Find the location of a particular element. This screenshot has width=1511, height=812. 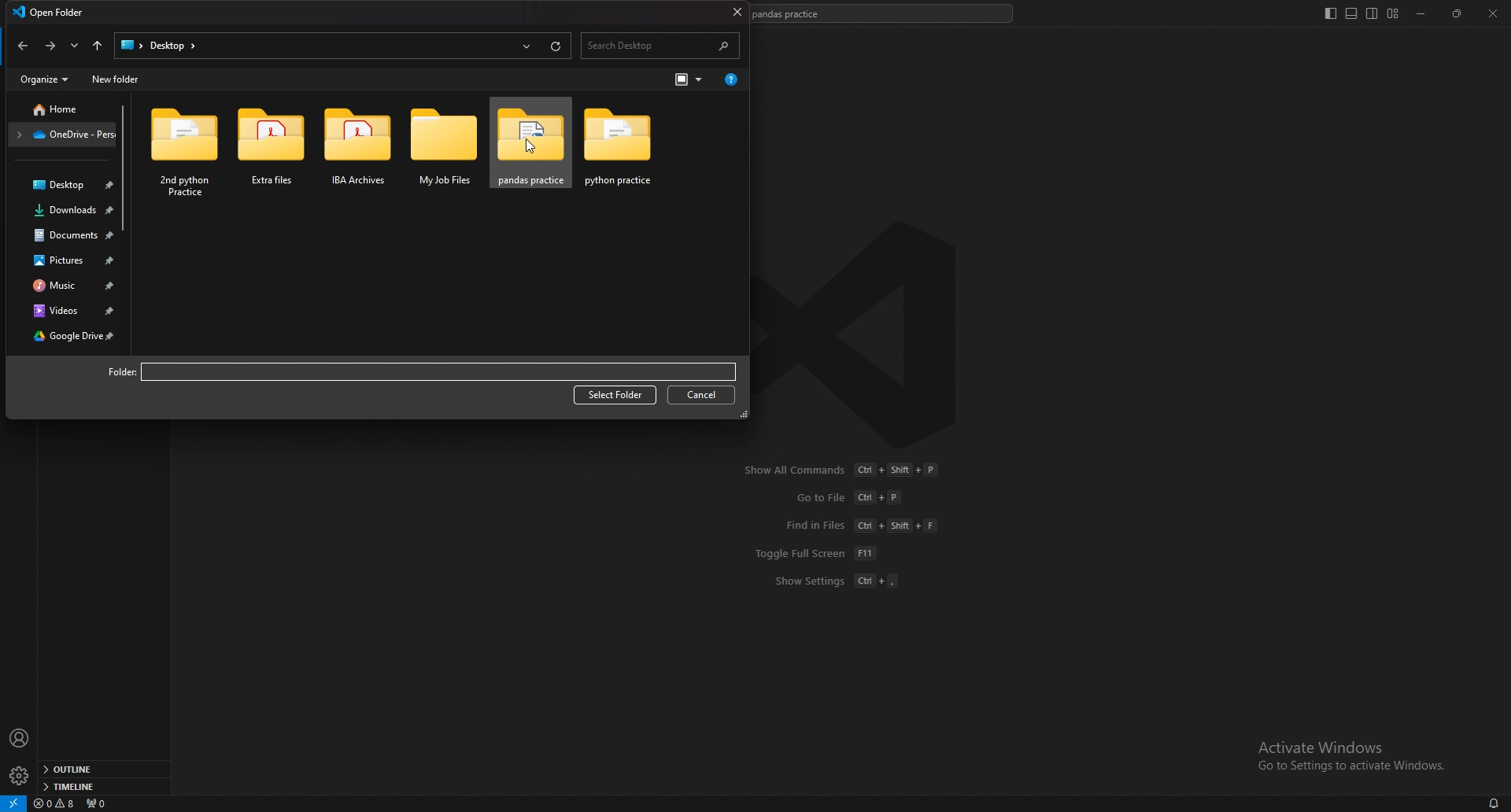

change your view is located at coordinates (686, 80).